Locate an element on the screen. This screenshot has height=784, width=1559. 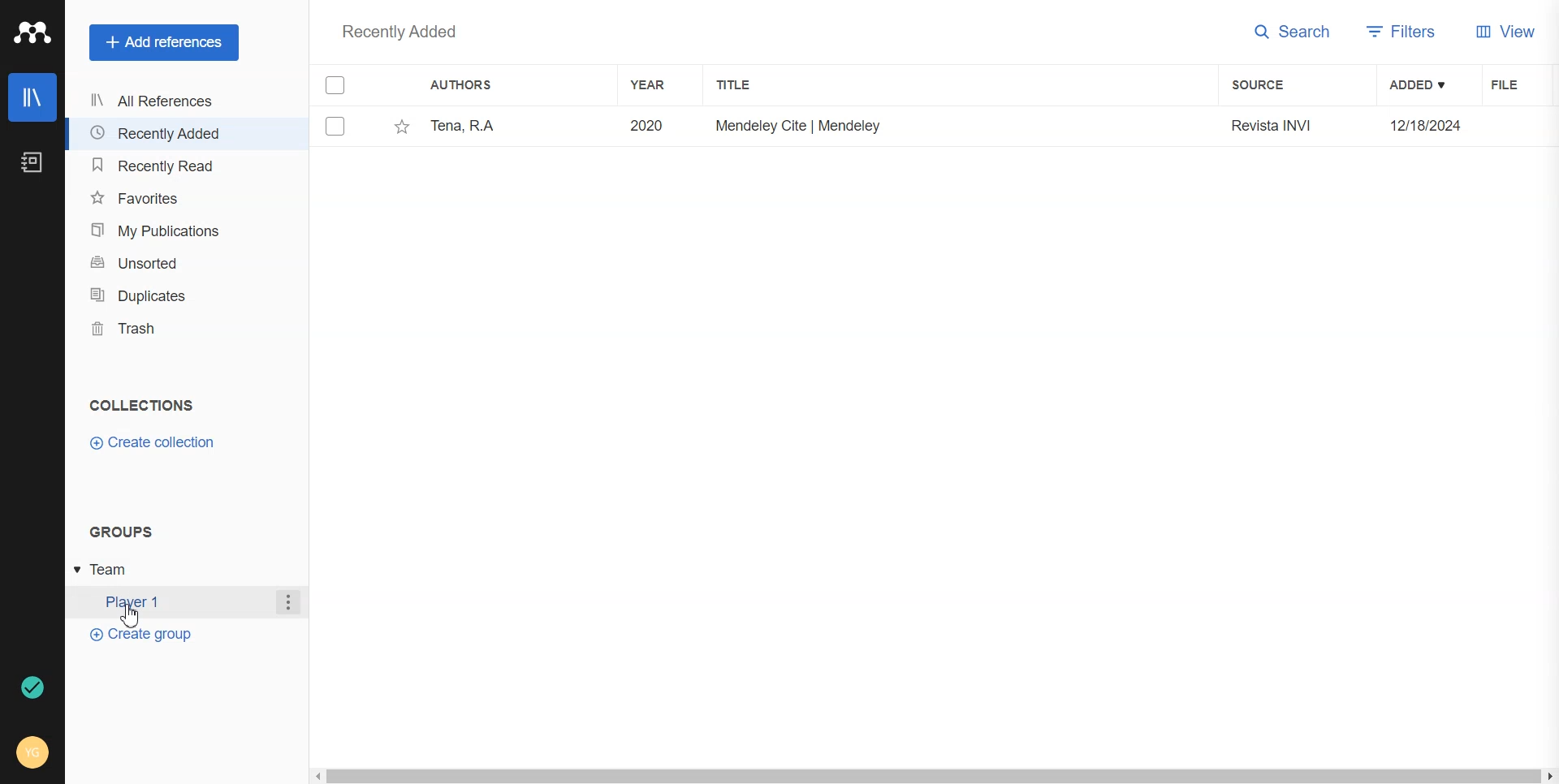
Favorites is located at coordinates (164, 198).